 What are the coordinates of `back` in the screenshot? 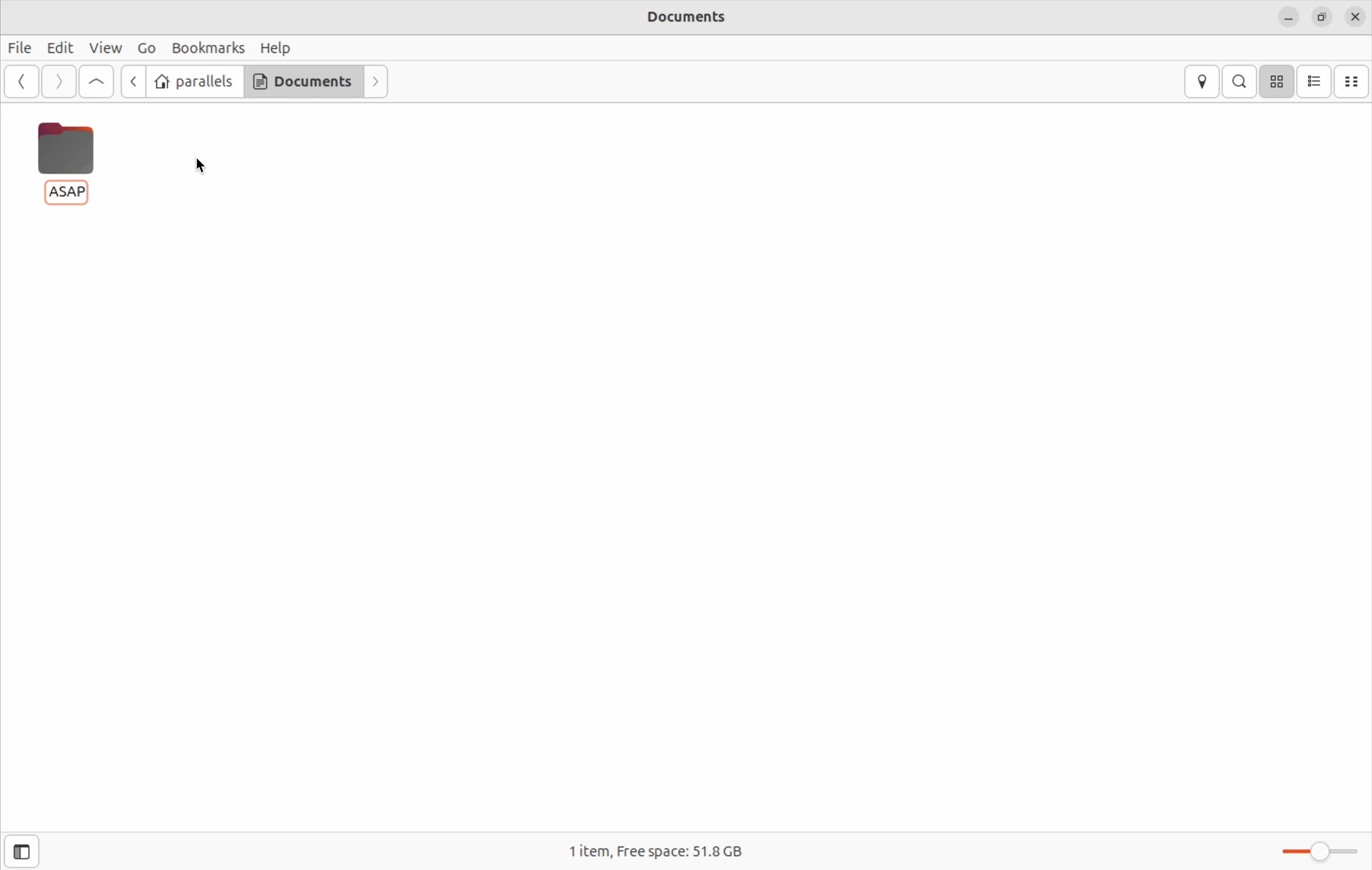 It's located at (23, 83).